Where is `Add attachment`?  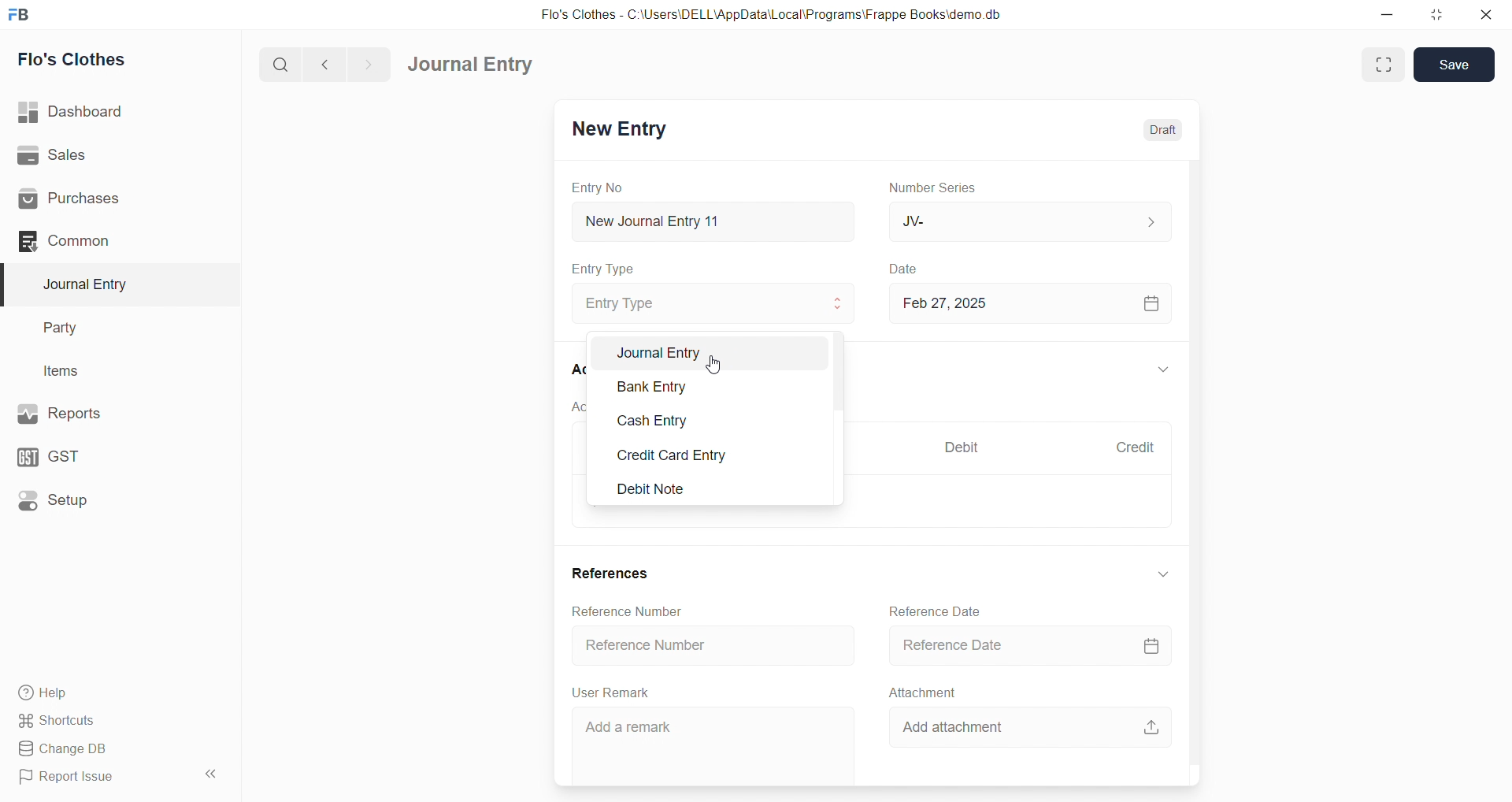 Add attachment is located at coordinates (1022, 730).